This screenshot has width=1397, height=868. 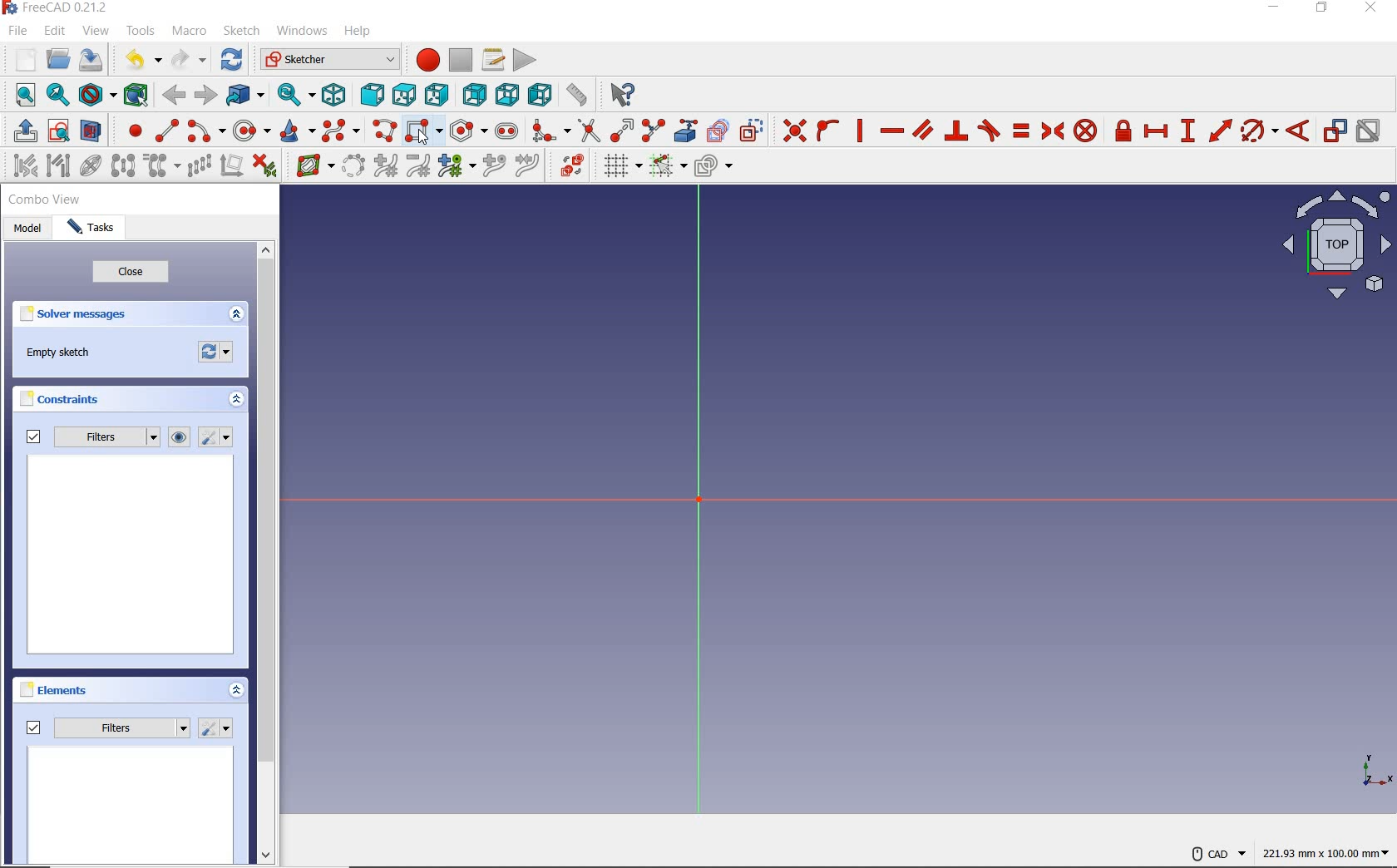 What do you see at coordinates (1260, 131) in the screenshot?
I see `constraint arc/circle` at bounding box center [1260, 131].